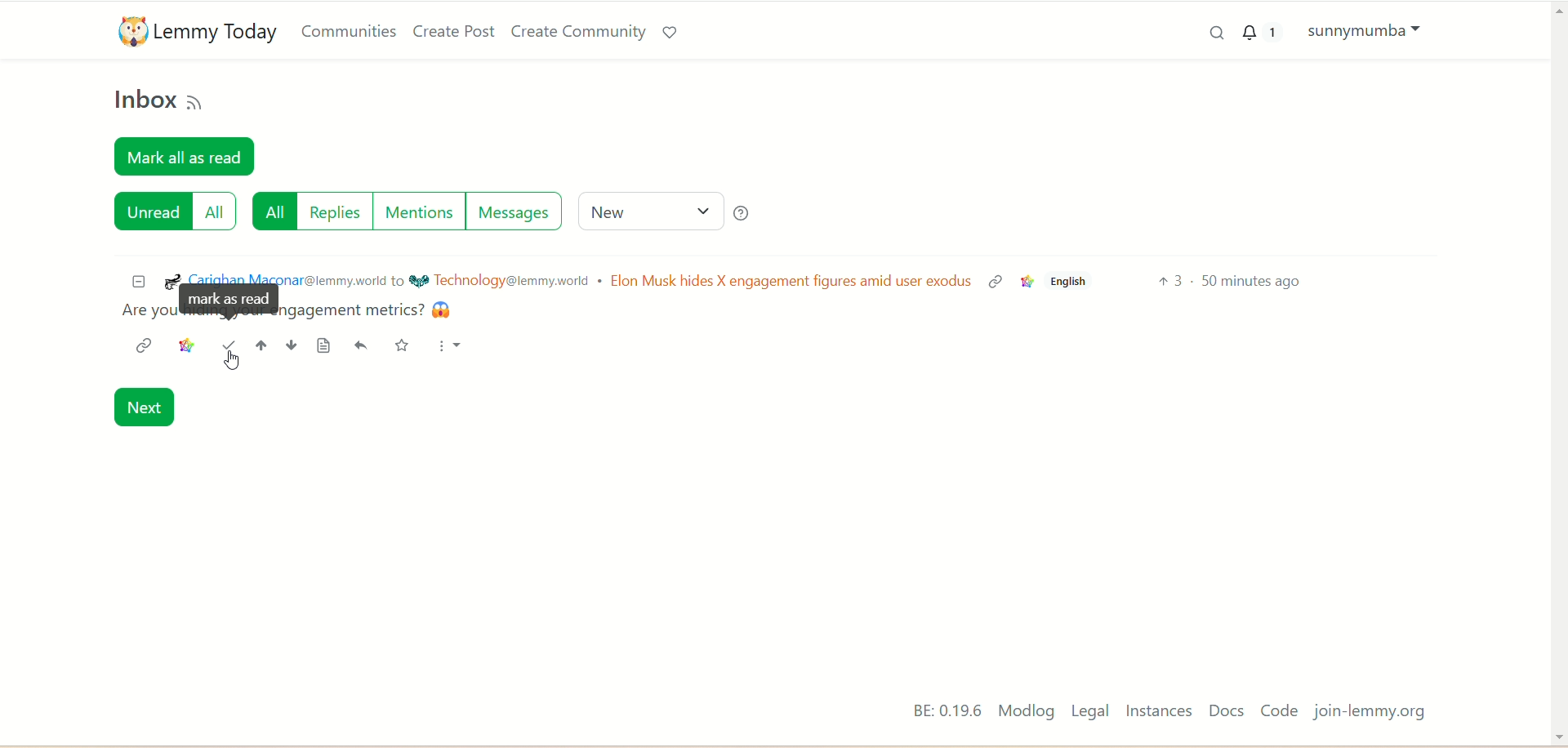  Describe the element at coordinates (325, 347) in the screenshot. I see `source` at that location.